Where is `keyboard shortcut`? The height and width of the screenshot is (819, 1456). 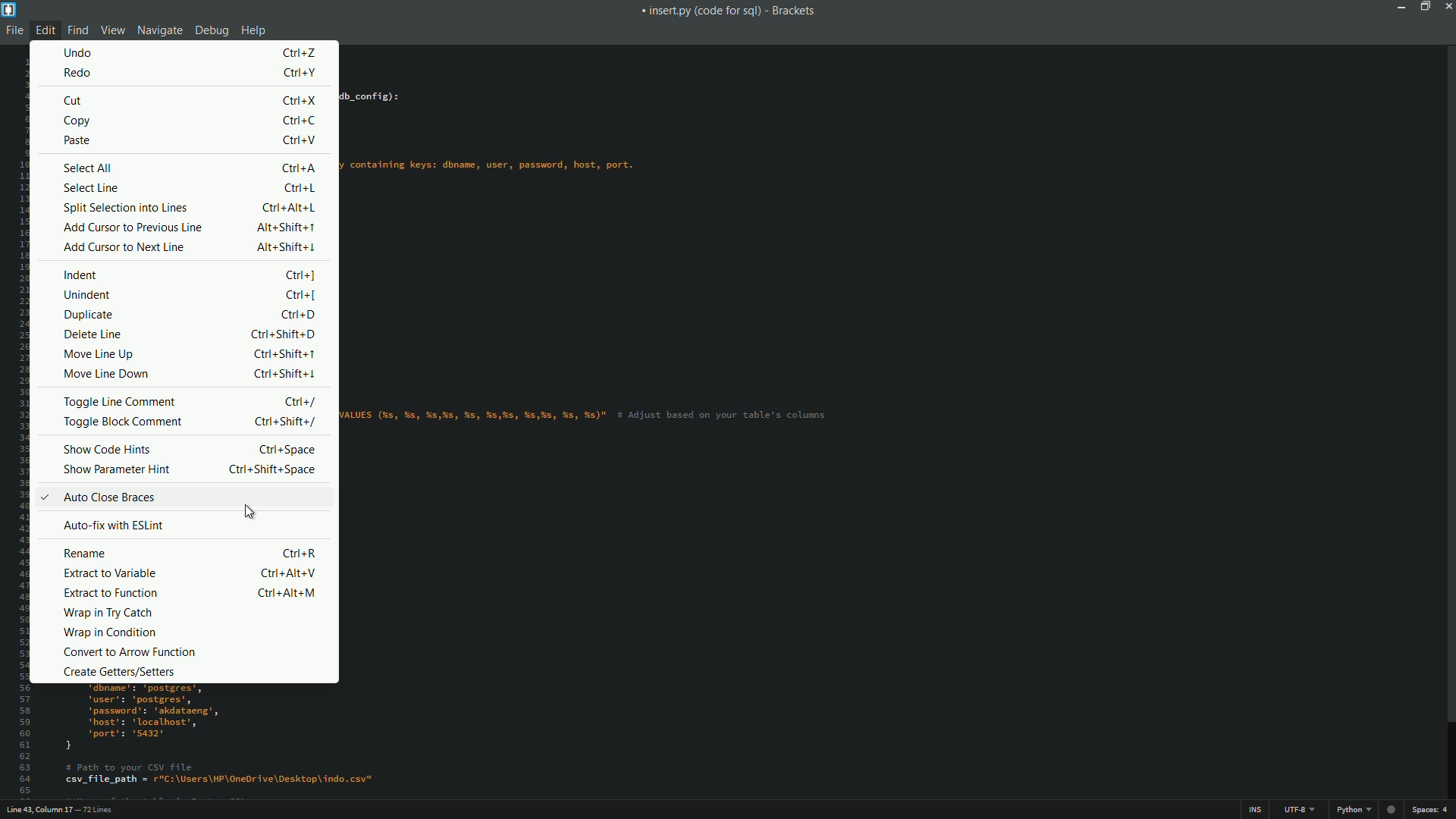 keyboard shortcut is located at coordinates (283, 354).